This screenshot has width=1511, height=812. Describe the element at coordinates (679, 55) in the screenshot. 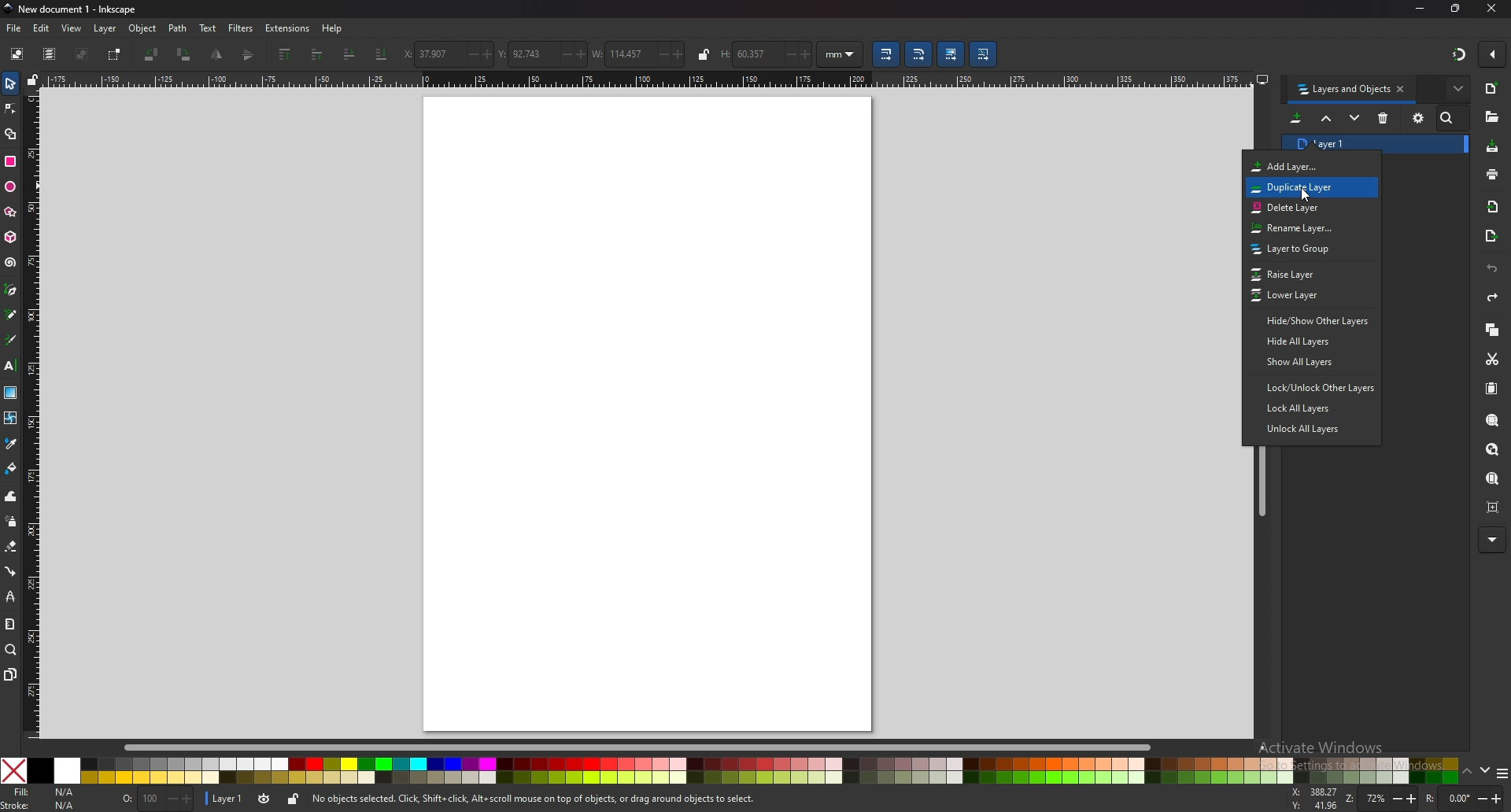

I see `increase` at that location.